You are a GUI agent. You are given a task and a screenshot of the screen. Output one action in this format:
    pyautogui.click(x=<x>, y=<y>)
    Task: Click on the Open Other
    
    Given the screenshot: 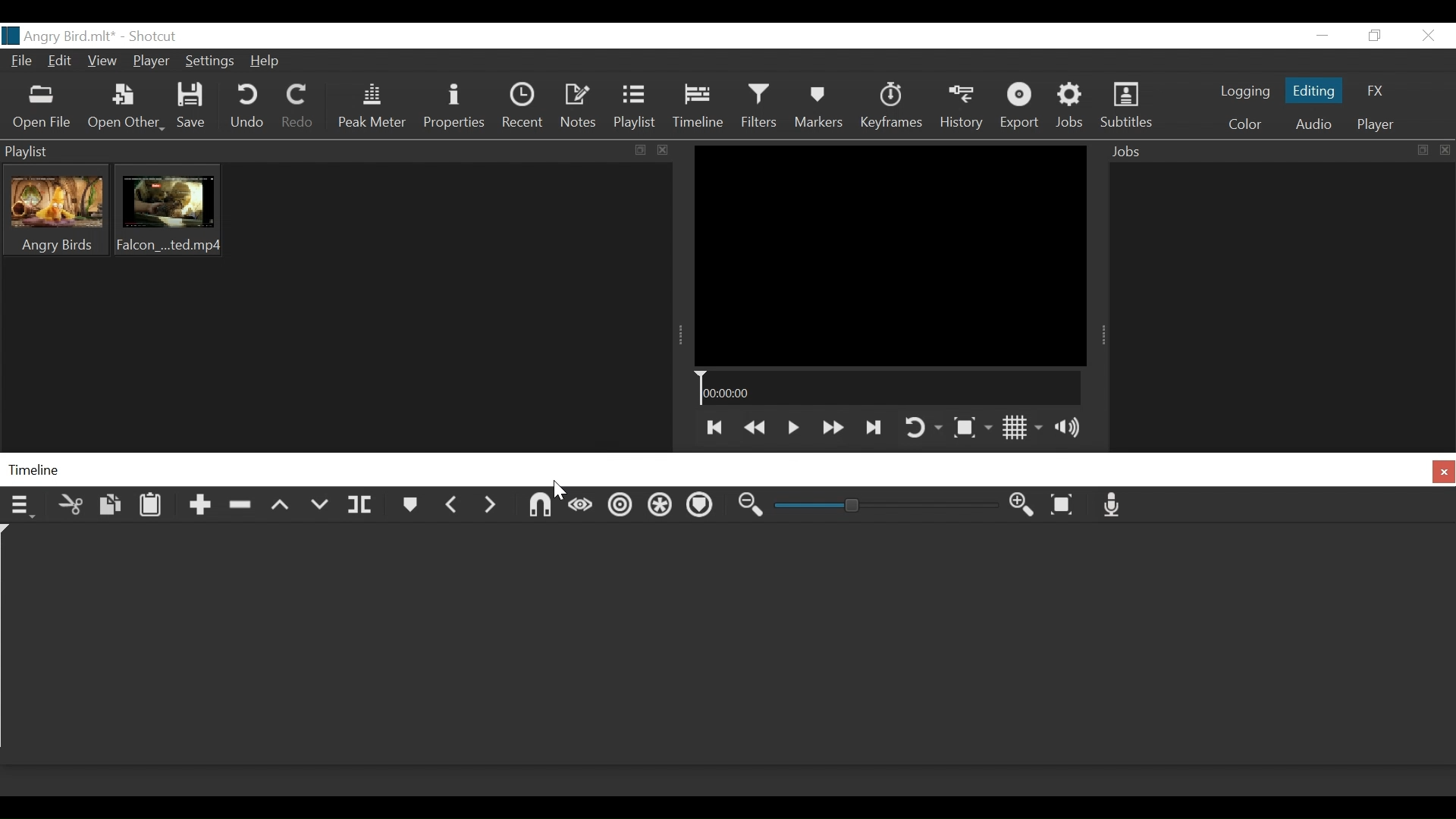 What is the action you would take?
    pyautogui.click(x=127, y=109)
    